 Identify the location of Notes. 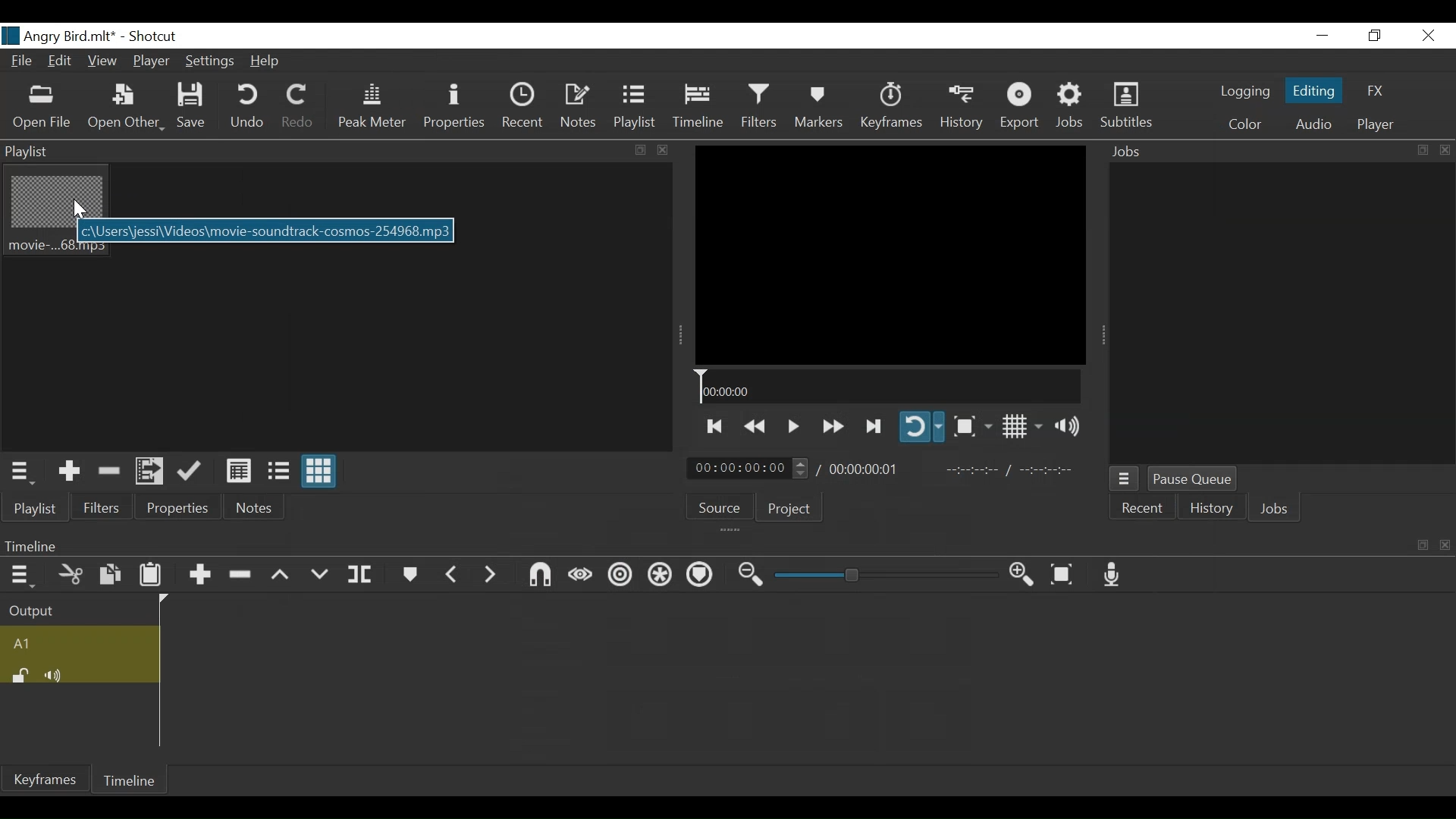
(257, 505).